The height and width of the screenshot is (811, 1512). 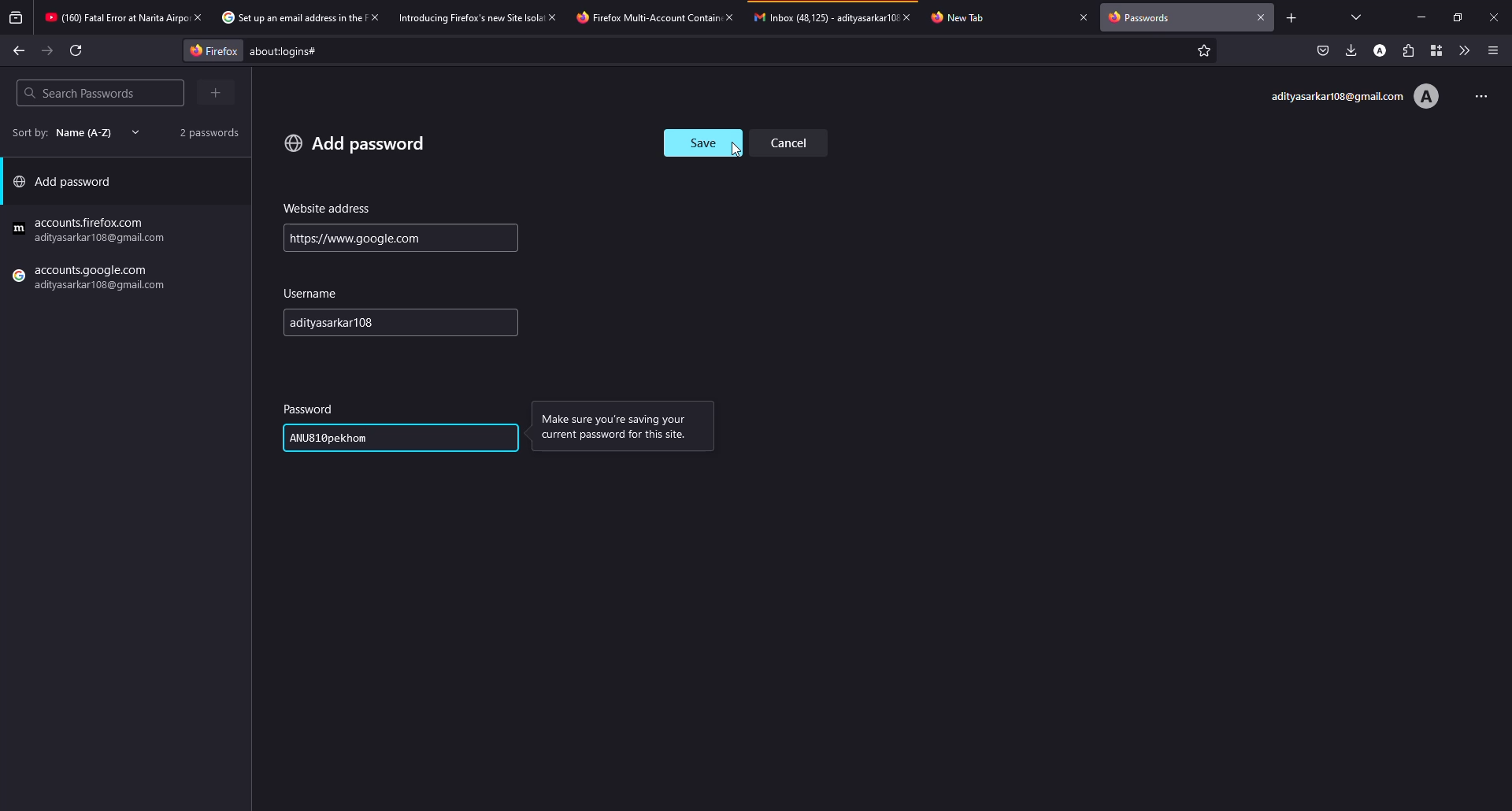 What do you see at coordinates (414, 51) in the screenshot?
I see `about` at bounding box center [414, 51].